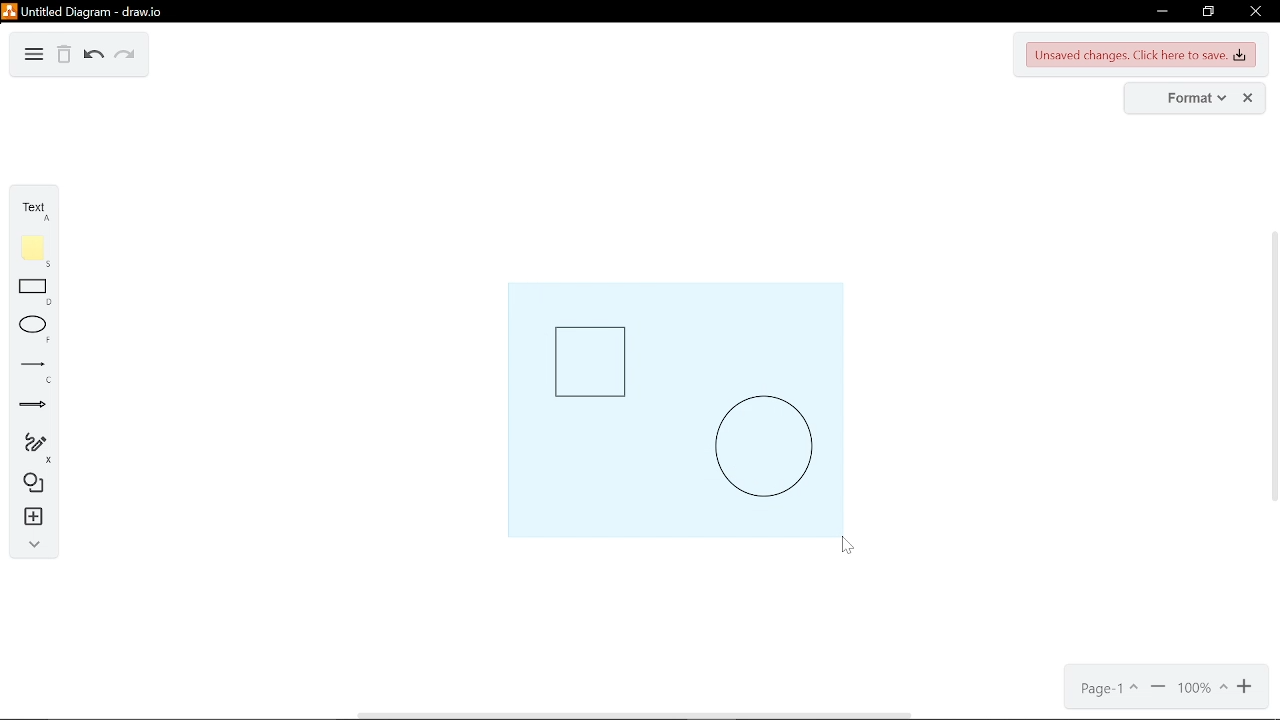 The width and height of the screenshot is (1280, 720). I want to click on format, so click(1184, 98).